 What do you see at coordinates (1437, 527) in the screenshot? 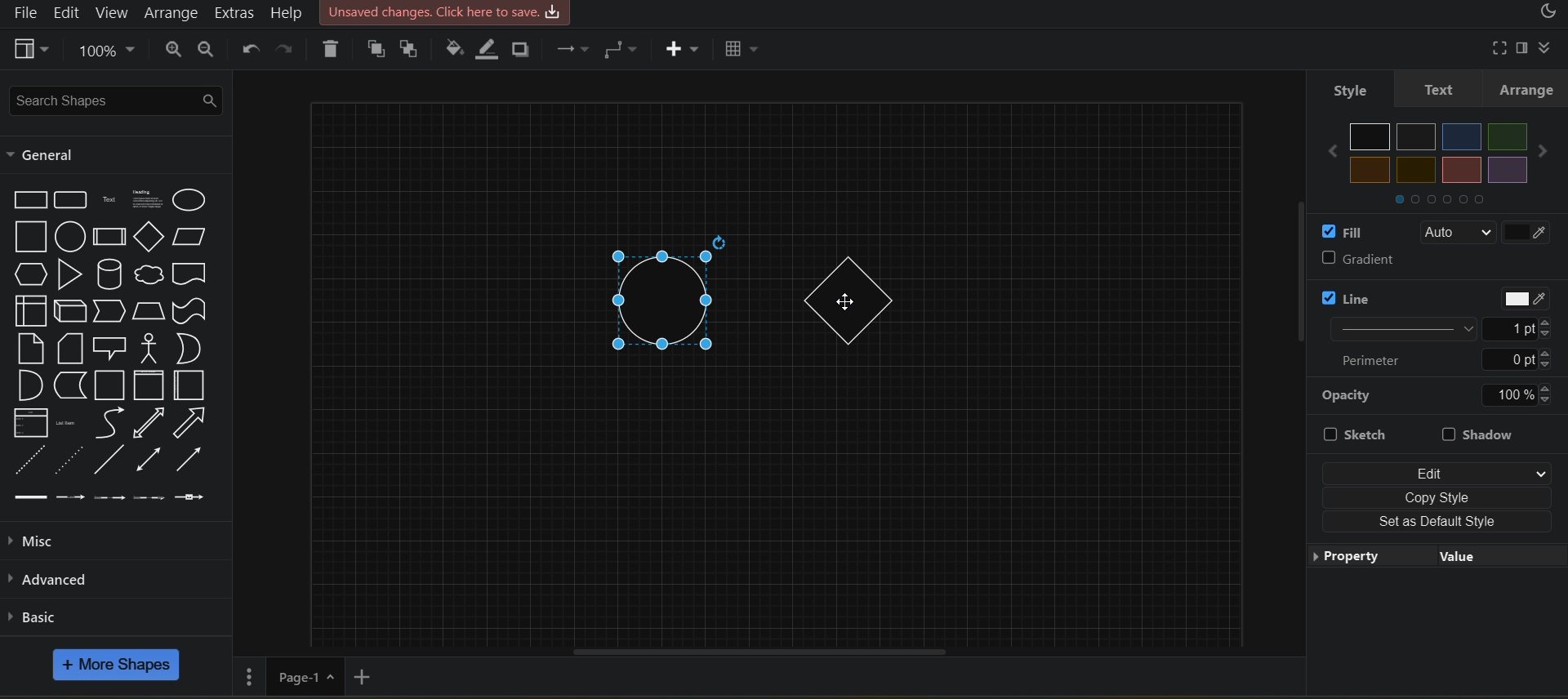
I see `set as default style` at bounding box center [1437, 527].